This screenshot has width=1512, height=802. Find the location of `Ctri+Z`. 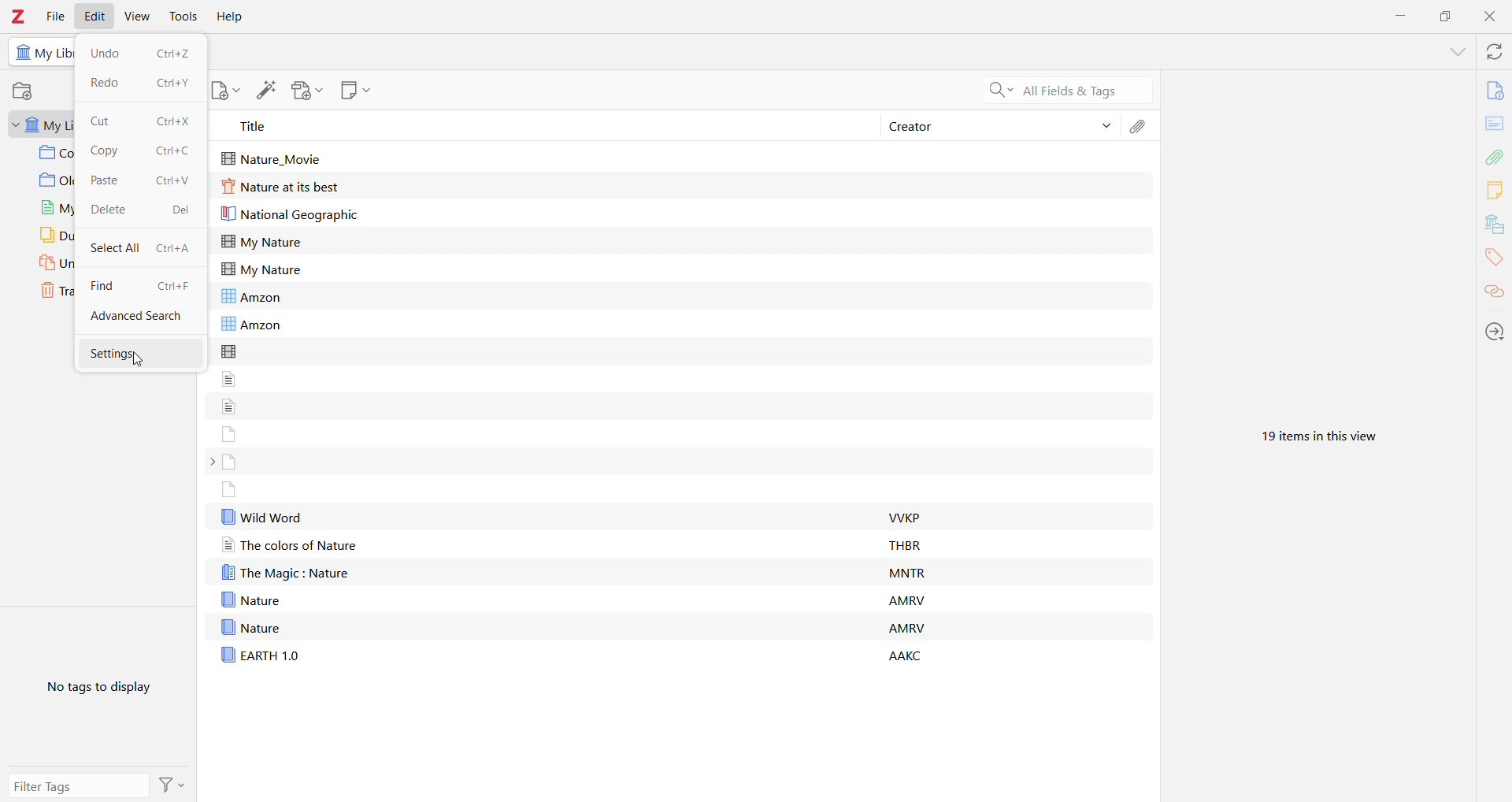

Ctri+Z is located at coordinates (172, 54).